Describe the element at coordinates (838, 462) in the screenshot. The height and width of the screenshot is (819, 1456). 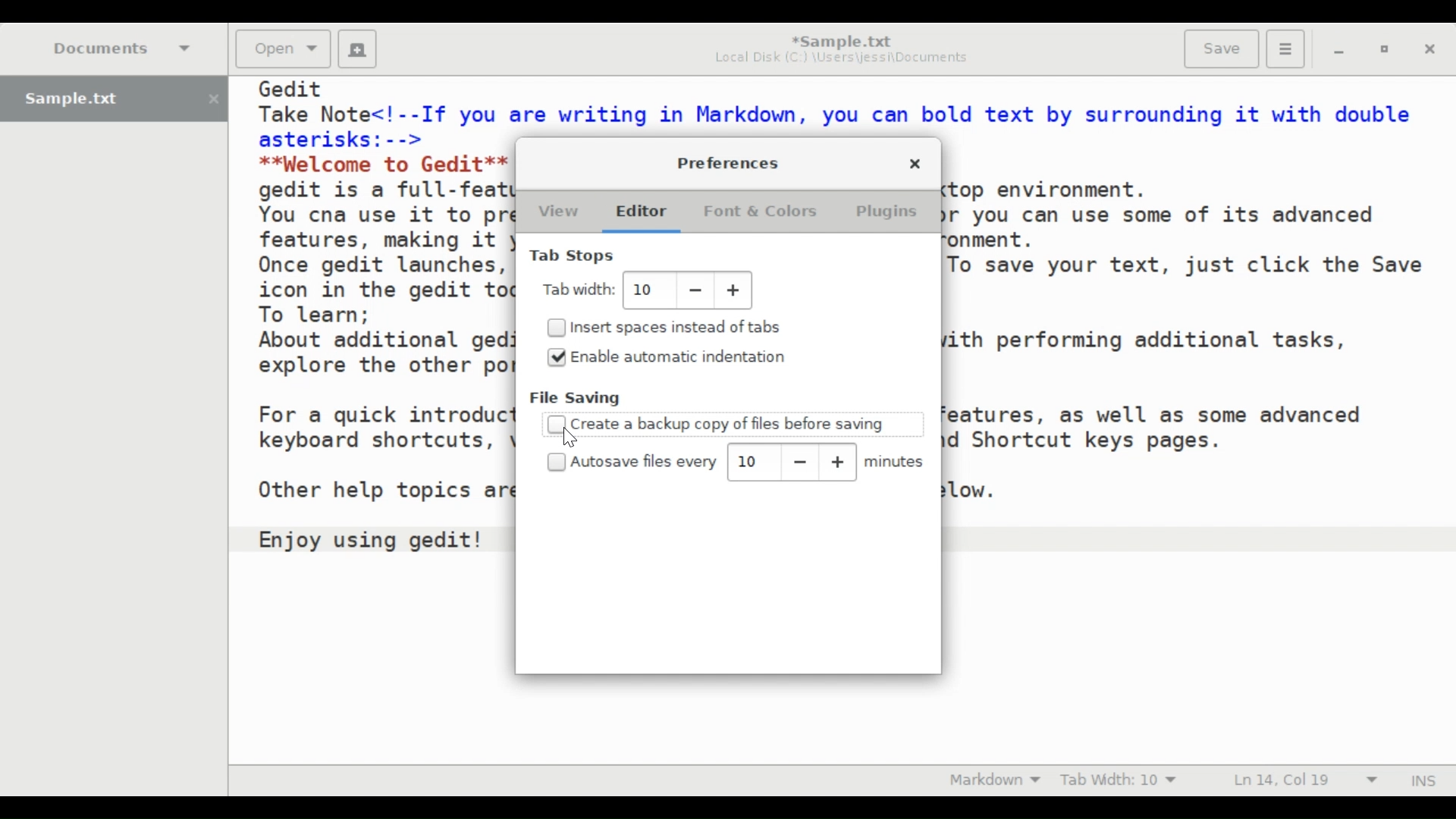
I see `increase` at that location.